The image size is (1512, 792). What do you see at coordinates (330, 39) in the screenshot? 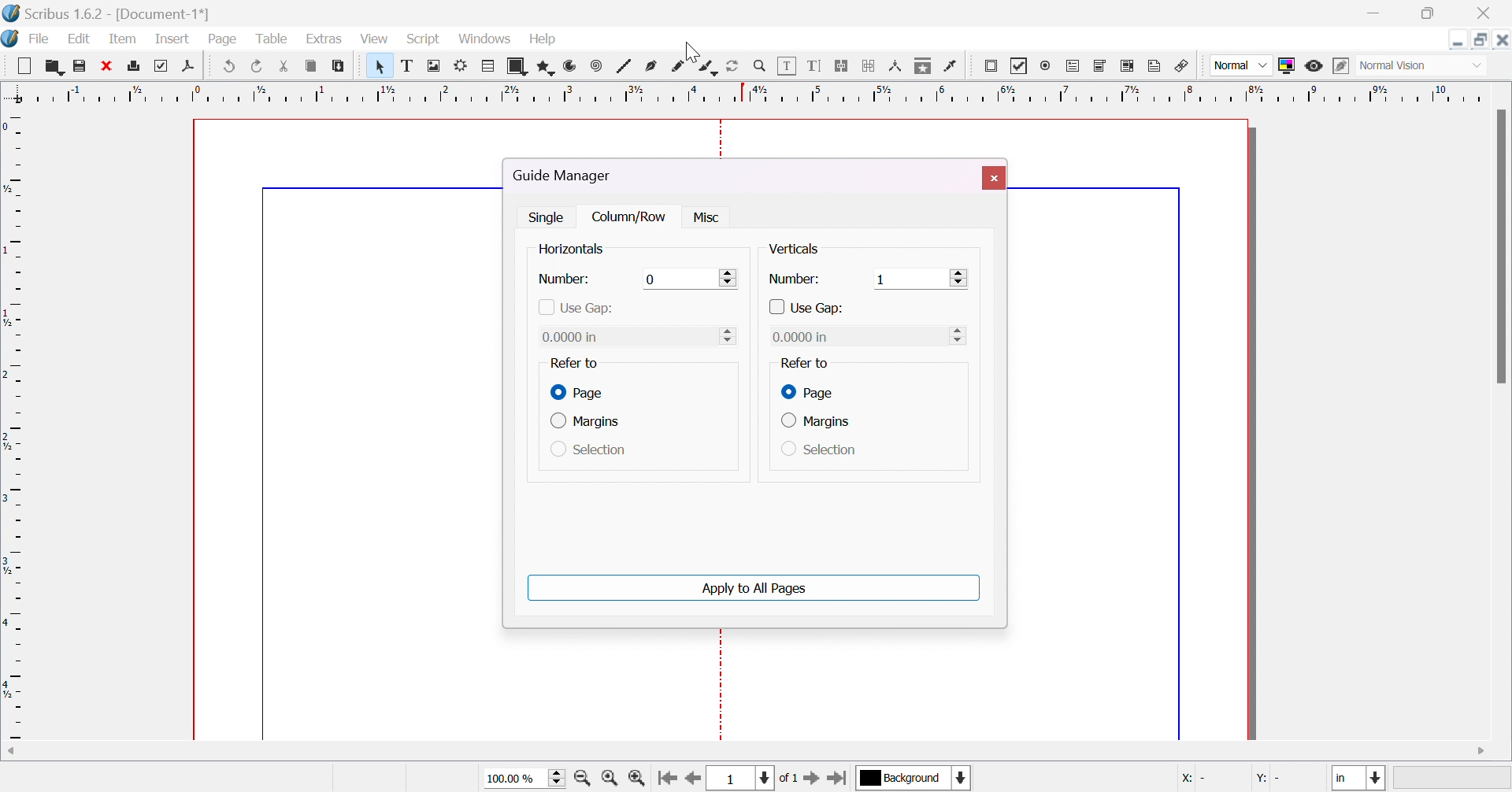
I see `extras` at bounding box center [330, 39].